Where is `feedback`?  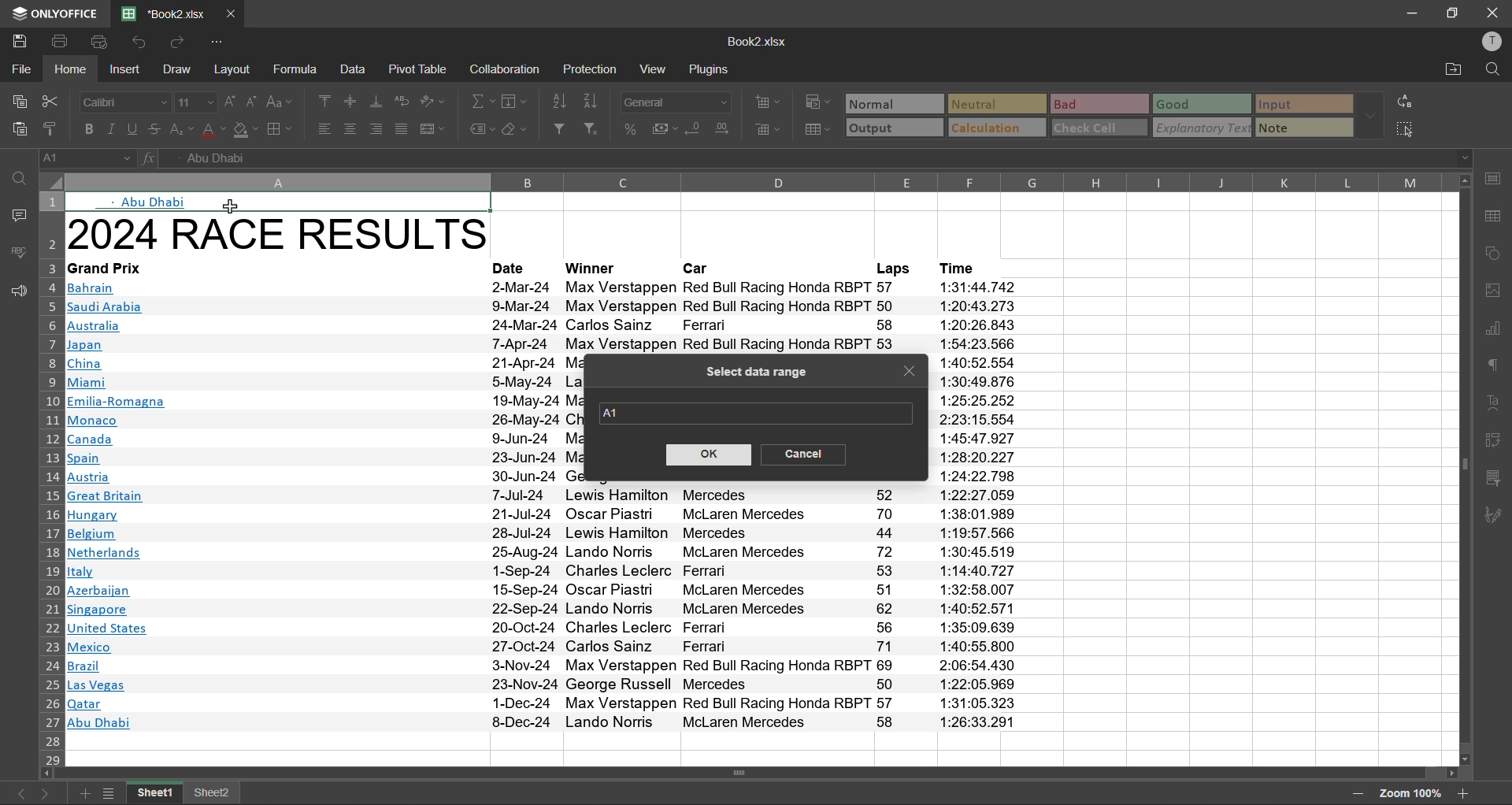
feedback is located at coordinates (21, 295).